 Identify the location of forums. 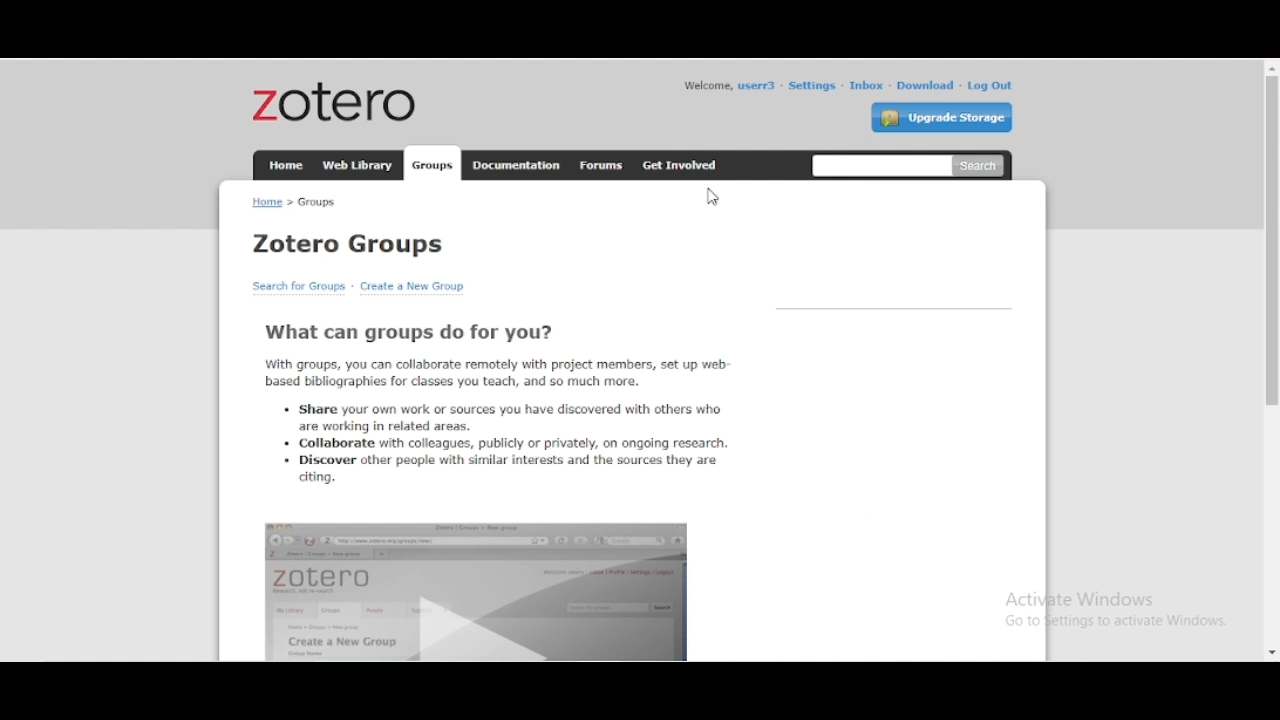
(602, 165).